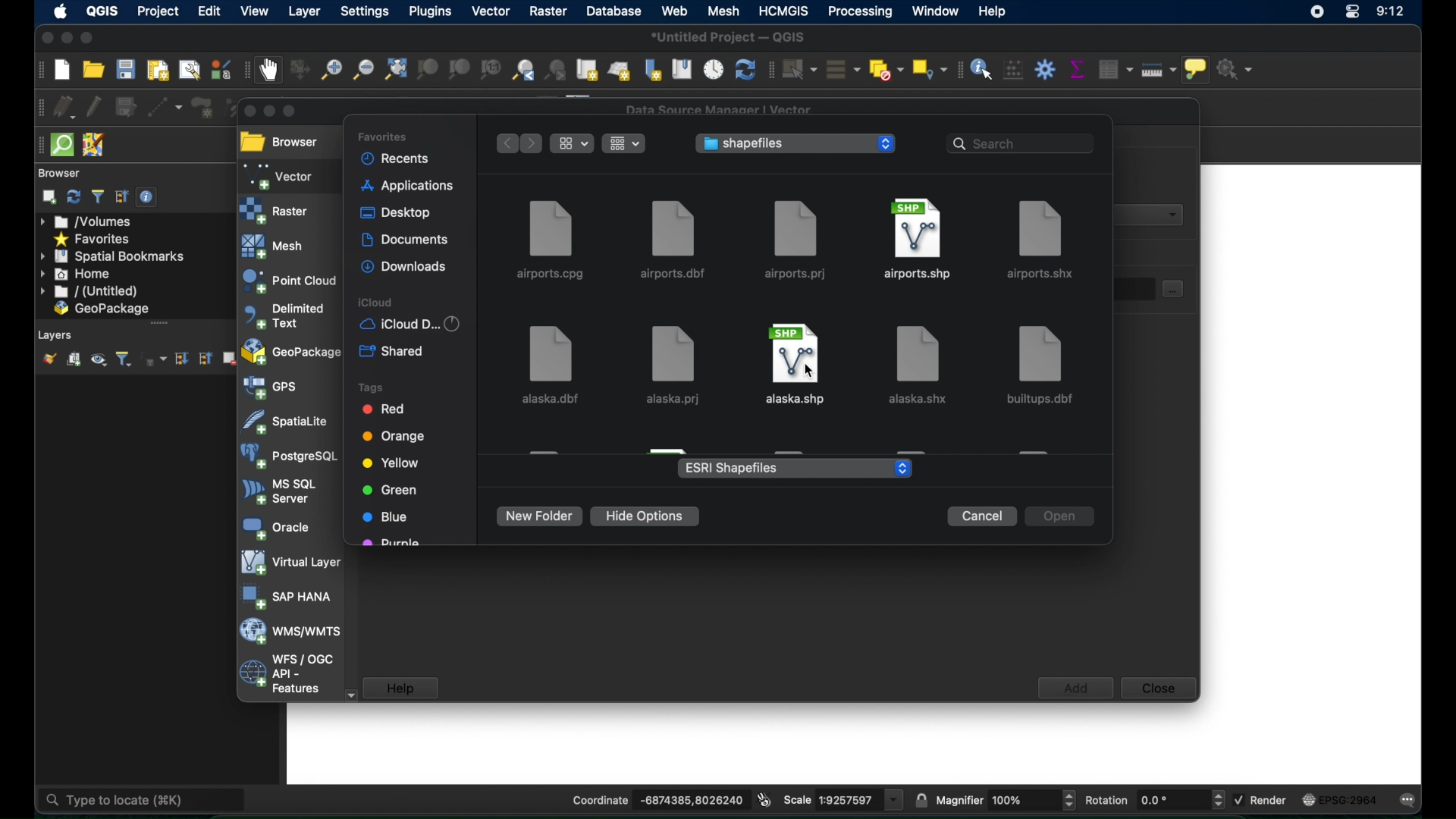 The height and width of the screenshot is (819, 1456). I want to click on point cloud , so click(288, 281).